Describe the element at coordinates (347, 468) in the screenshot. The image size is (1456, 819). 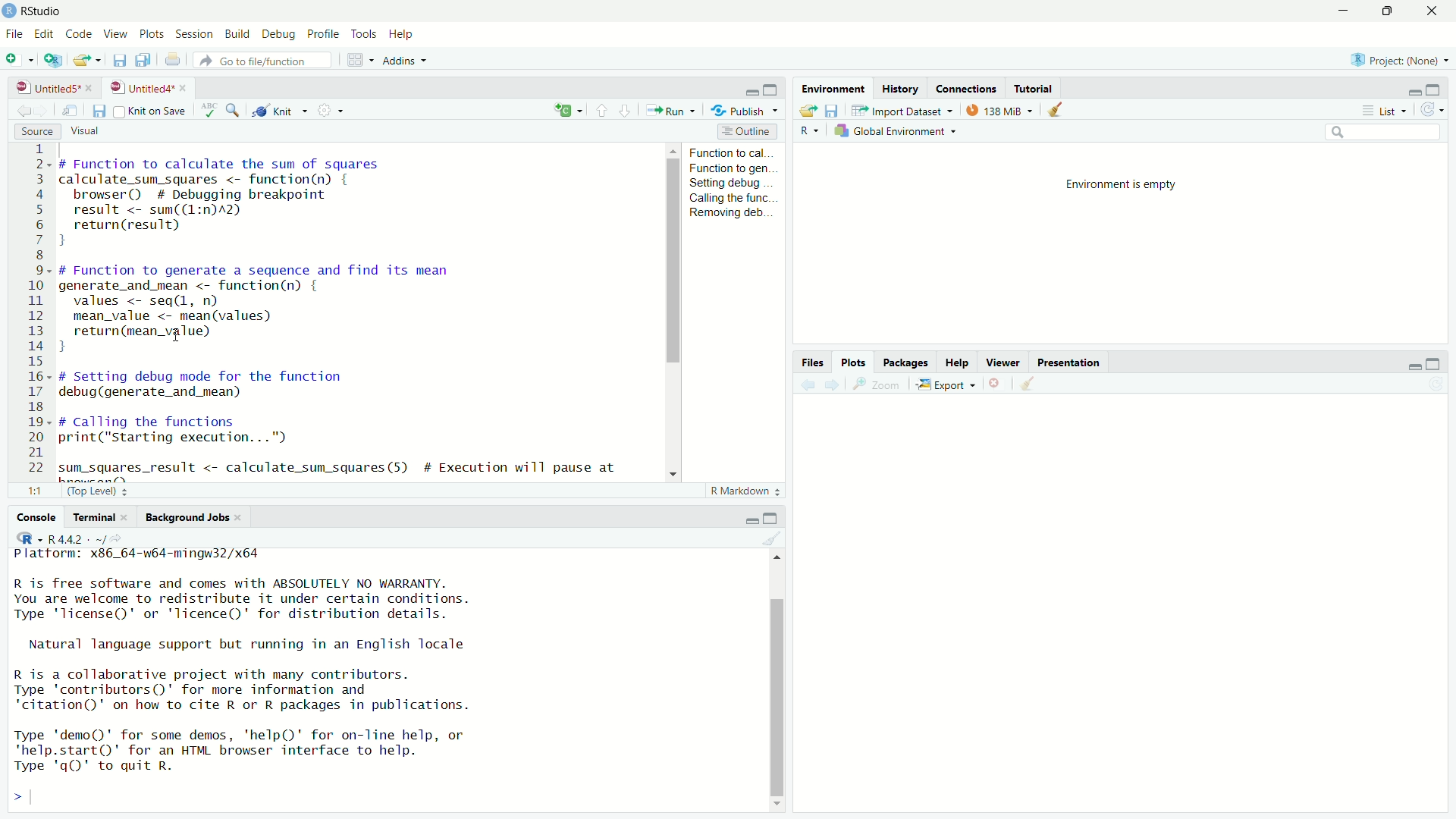
I see `code to get the result` at that location.